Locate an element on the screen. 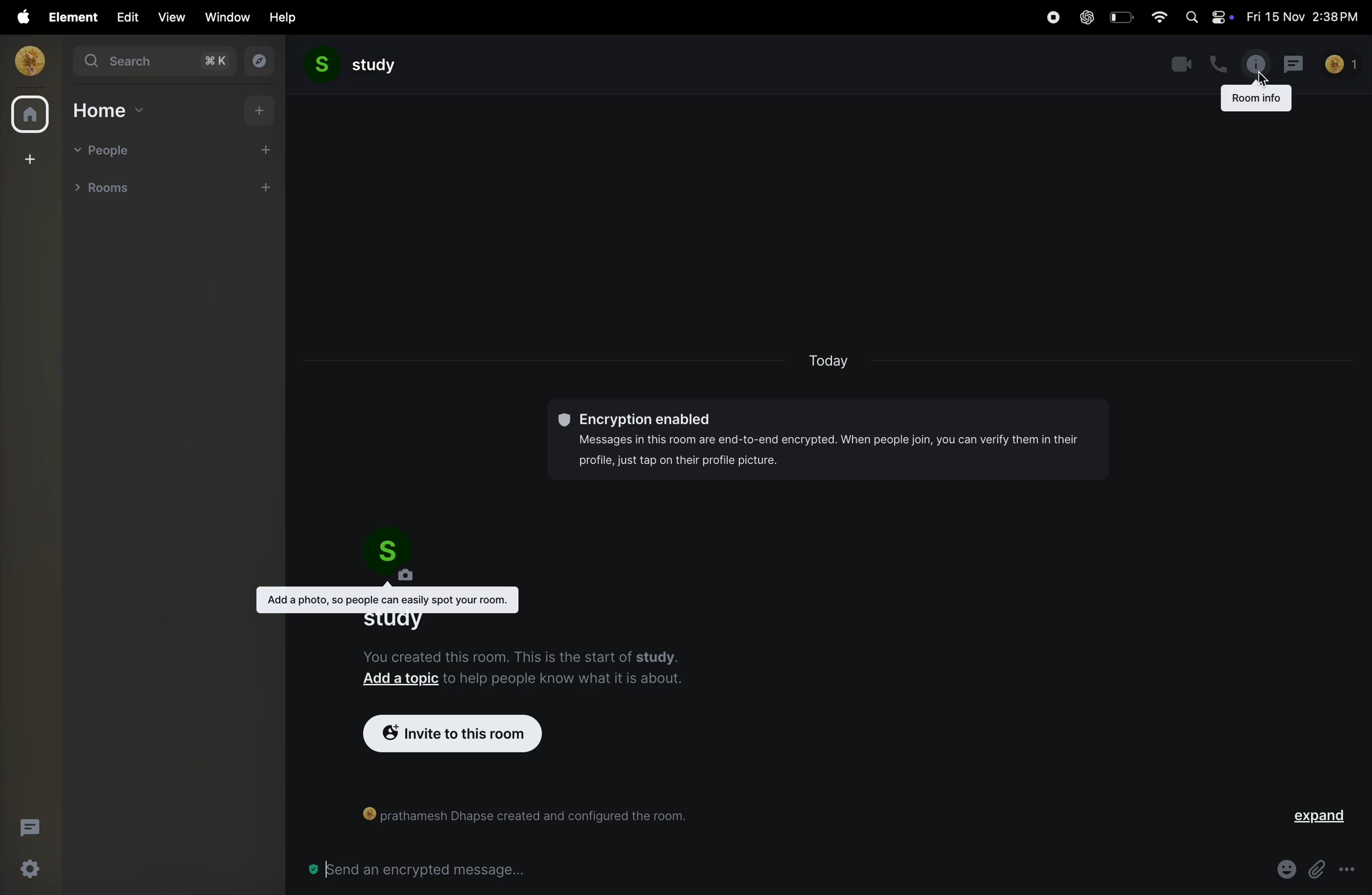  date and time is located at coordinates (1306, 17).